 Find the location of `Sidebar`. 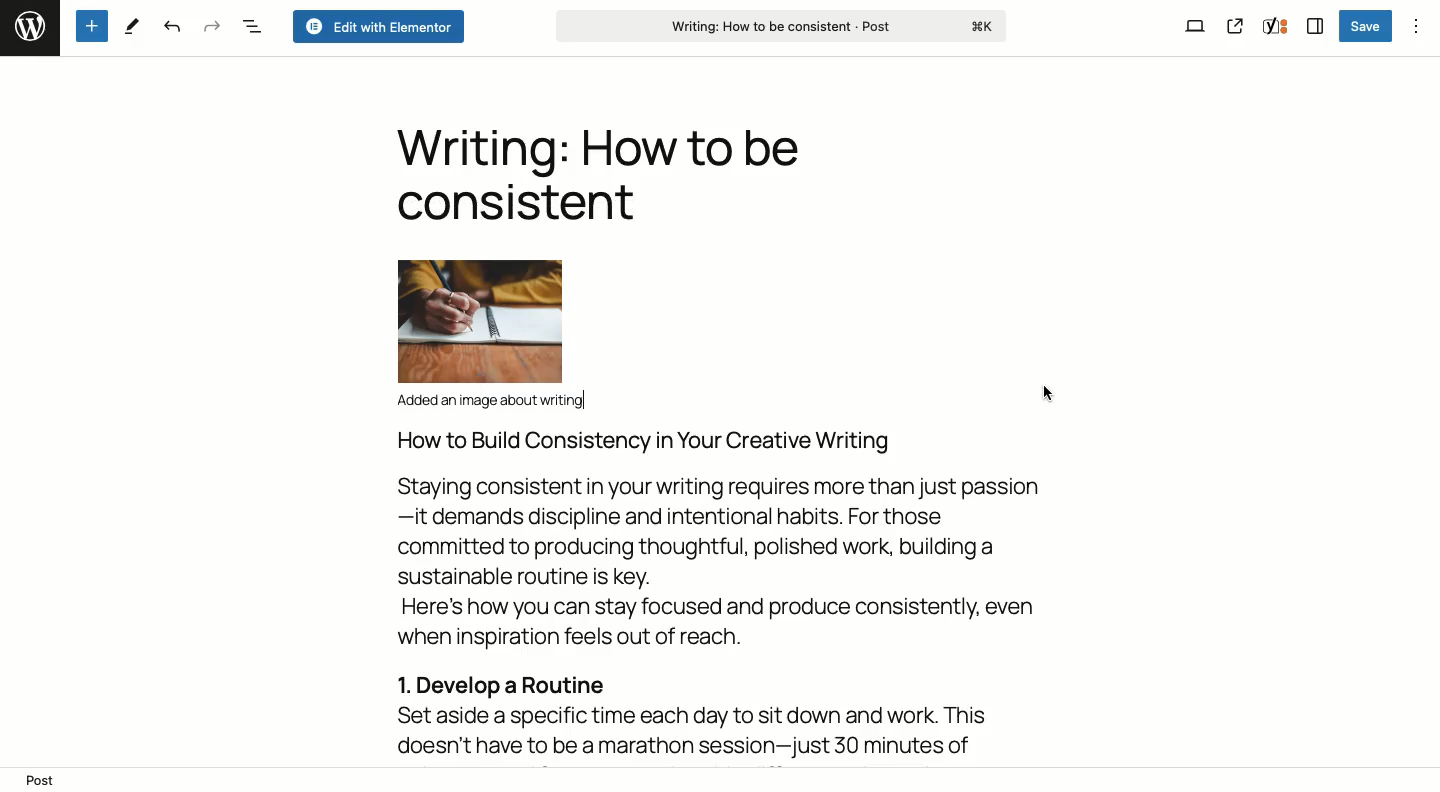

Sidebar is located at coordinates (1312, 27).